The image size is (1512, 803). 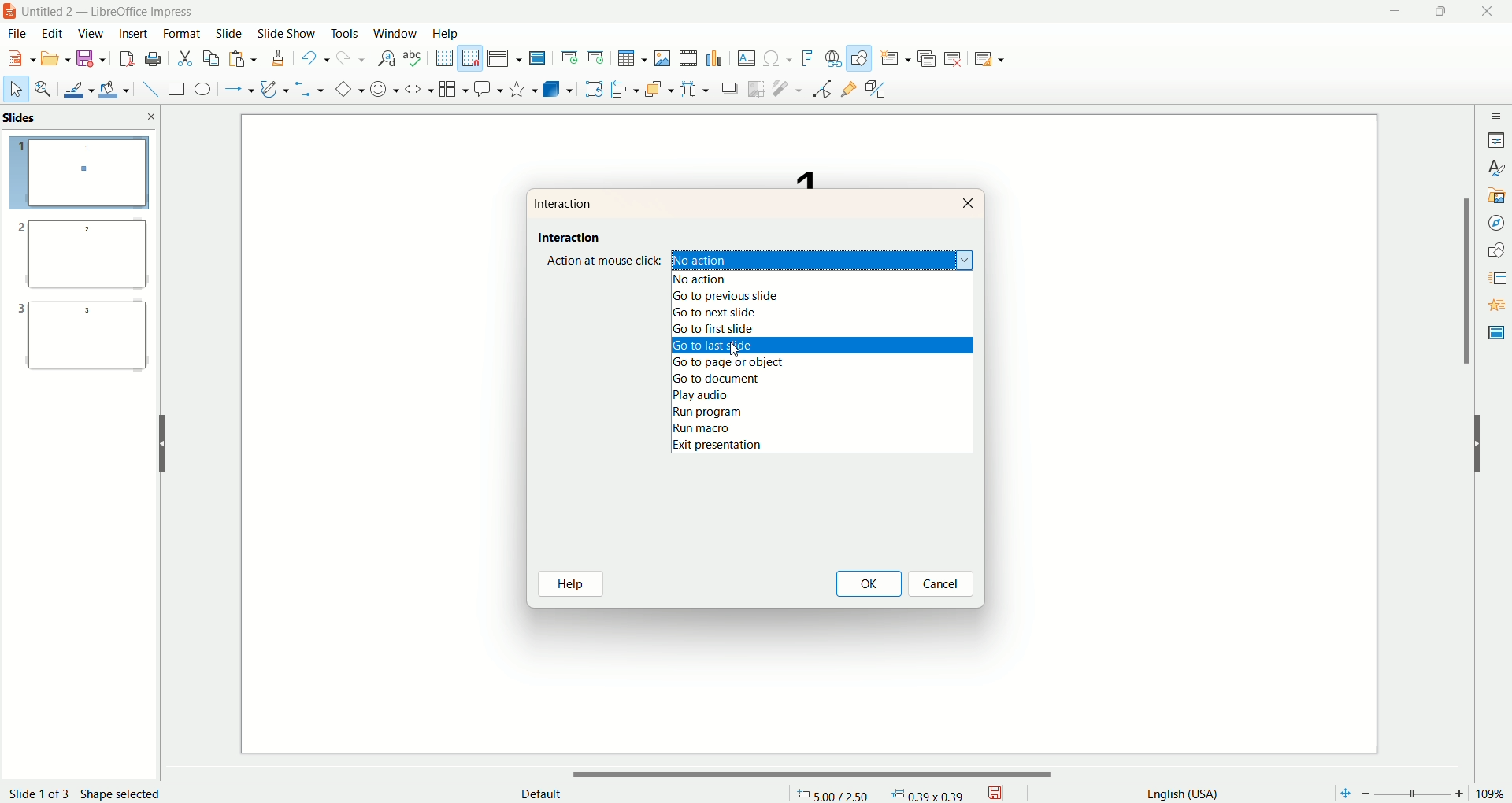 What do you see at coordinates (289, 34) in the screenshot?
I see `slide show` at bounding box center [289, 34].